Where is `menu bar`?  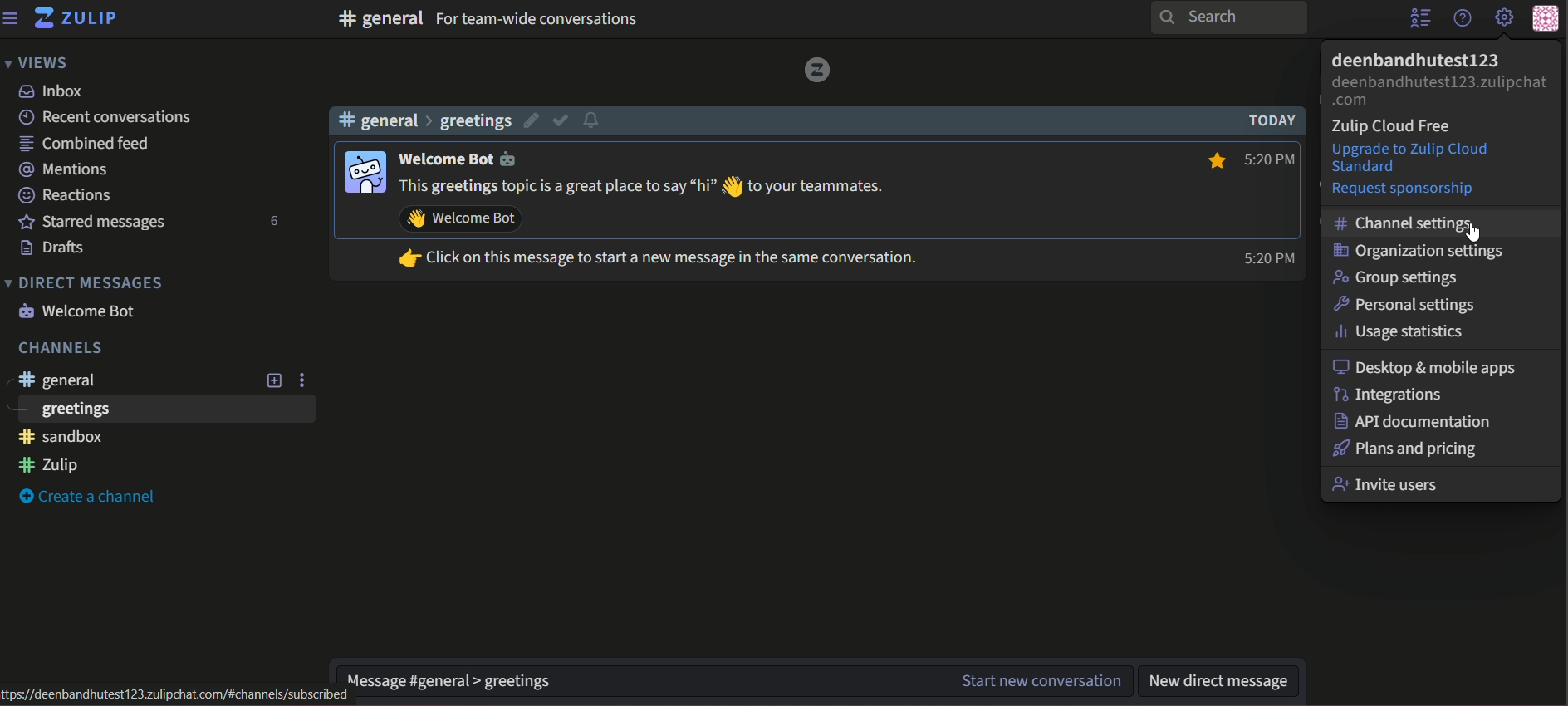
menu bar is located at coordinates (12, 17).